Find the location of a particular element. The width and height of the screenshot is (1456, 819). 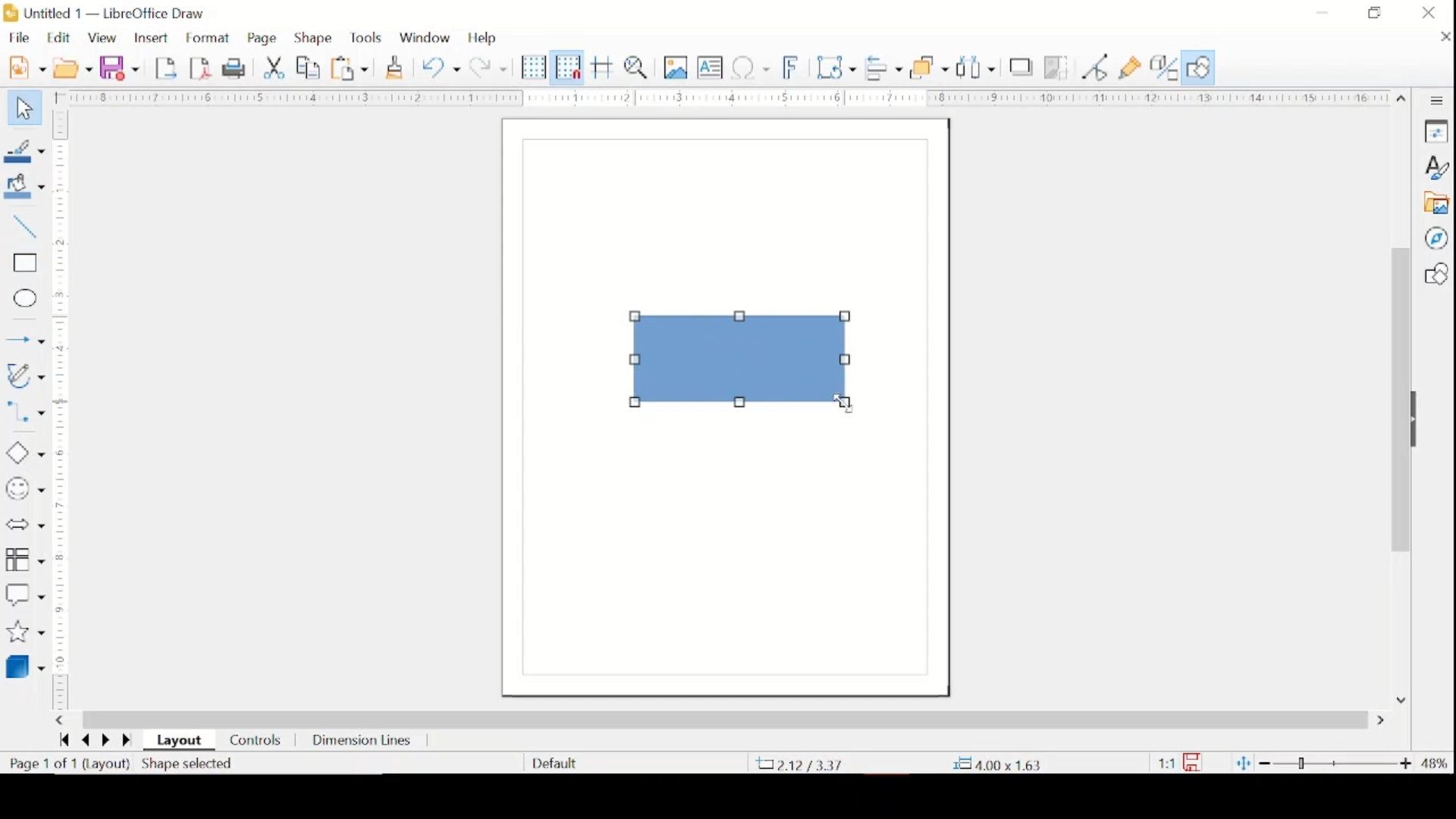

controls is located at coordinates (256, 742).